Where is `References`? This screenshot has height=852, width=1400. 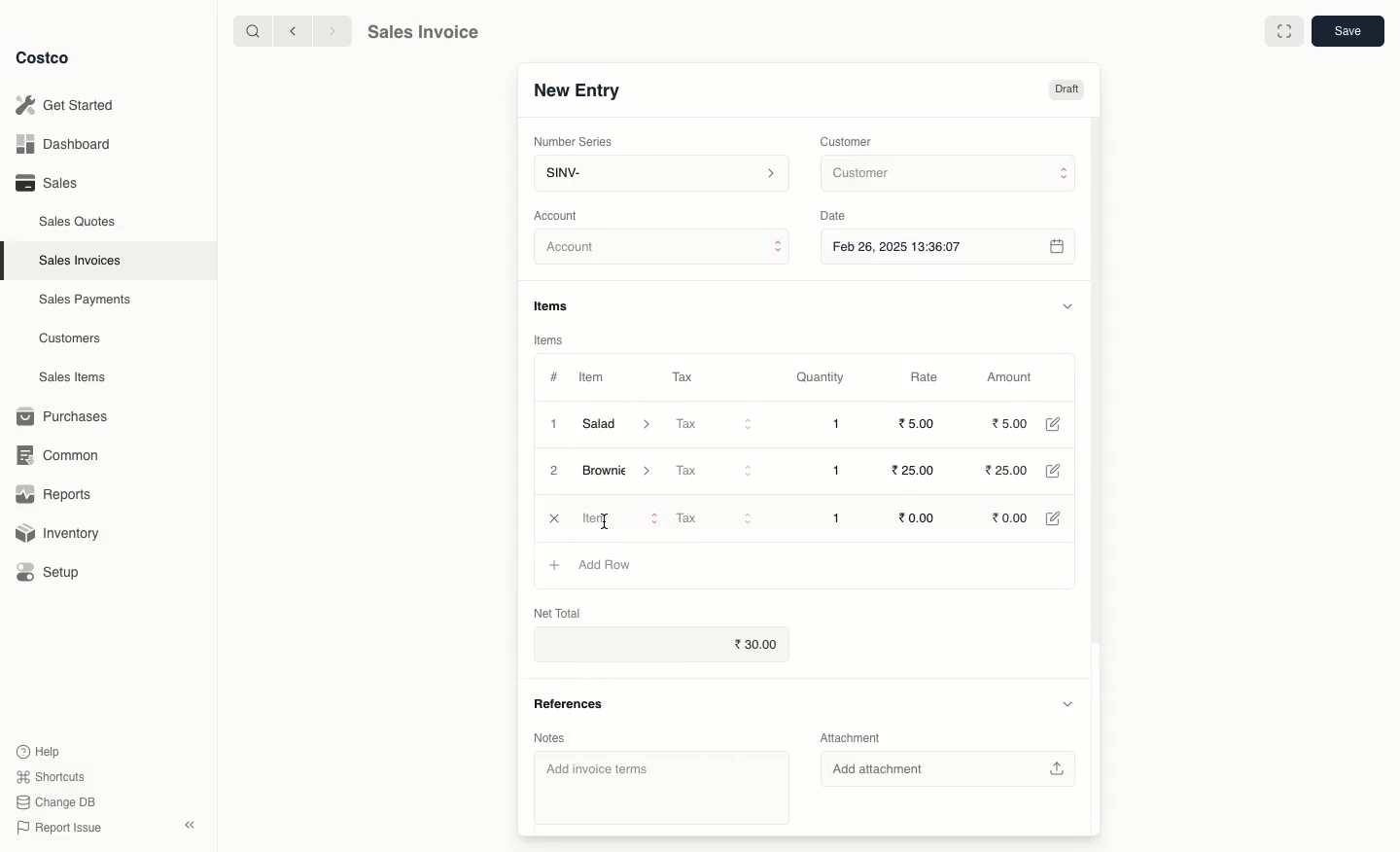
References is located at coordinates (568, 702).